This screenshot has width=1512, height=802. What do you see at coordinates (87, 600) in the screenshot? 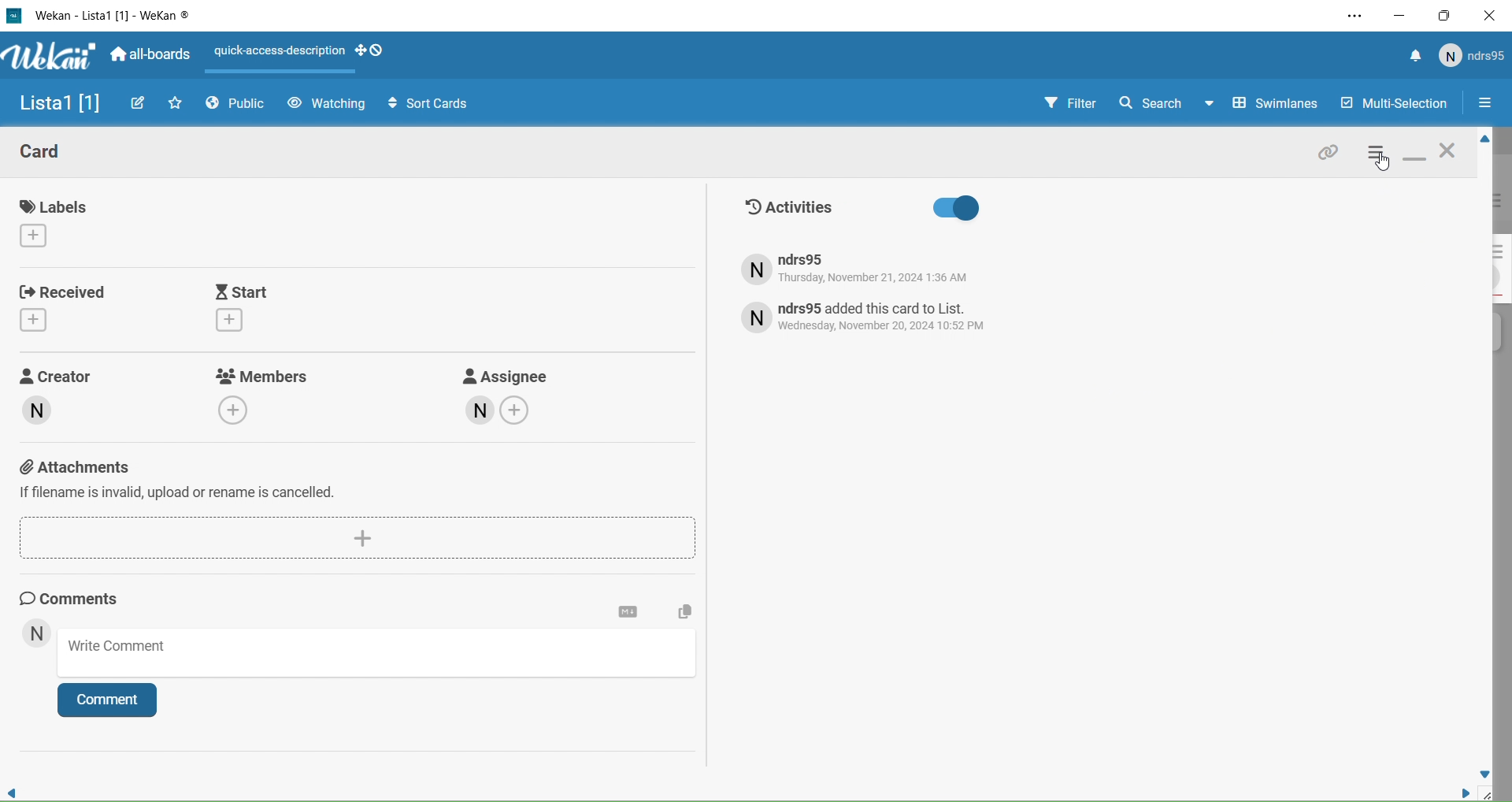
I see `Comments` at bounding box center [87, 600].